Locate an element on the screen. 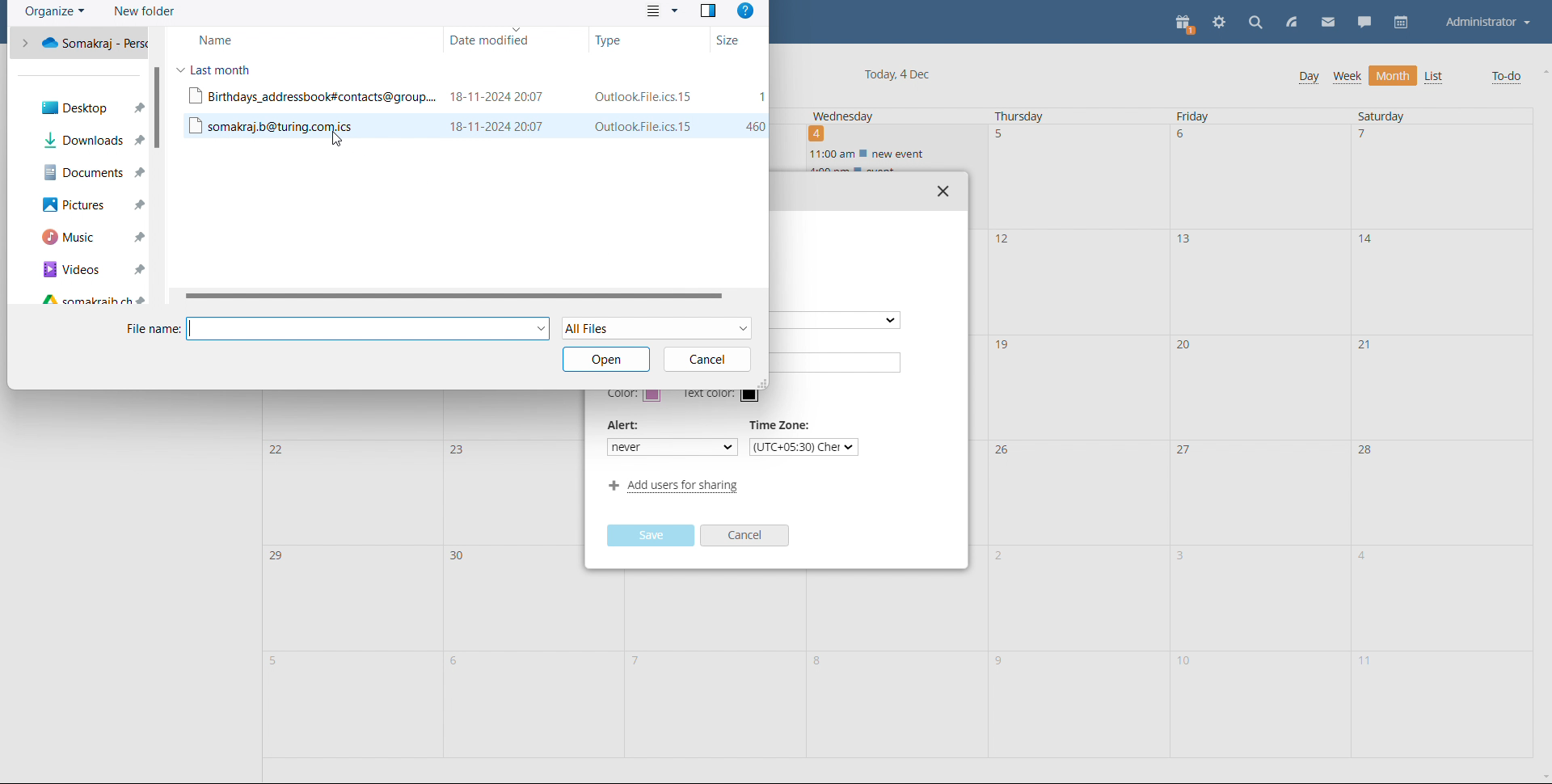 Image resolution: width=1552 pixels, height=784 pixels. file 2 is located at coordinates (476, 125).